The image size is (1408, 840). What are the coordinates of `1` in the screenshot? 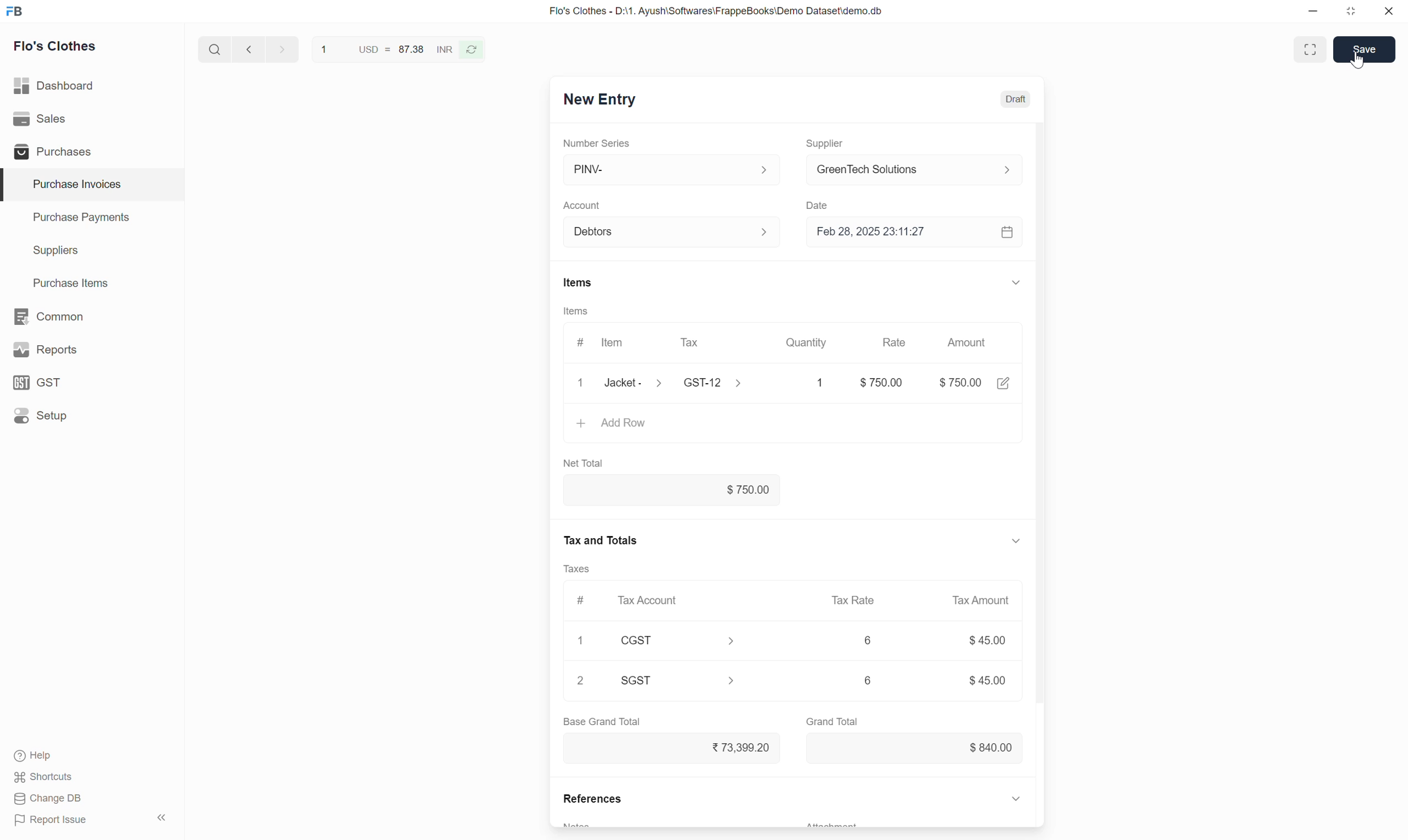 It's located at (580, 640).